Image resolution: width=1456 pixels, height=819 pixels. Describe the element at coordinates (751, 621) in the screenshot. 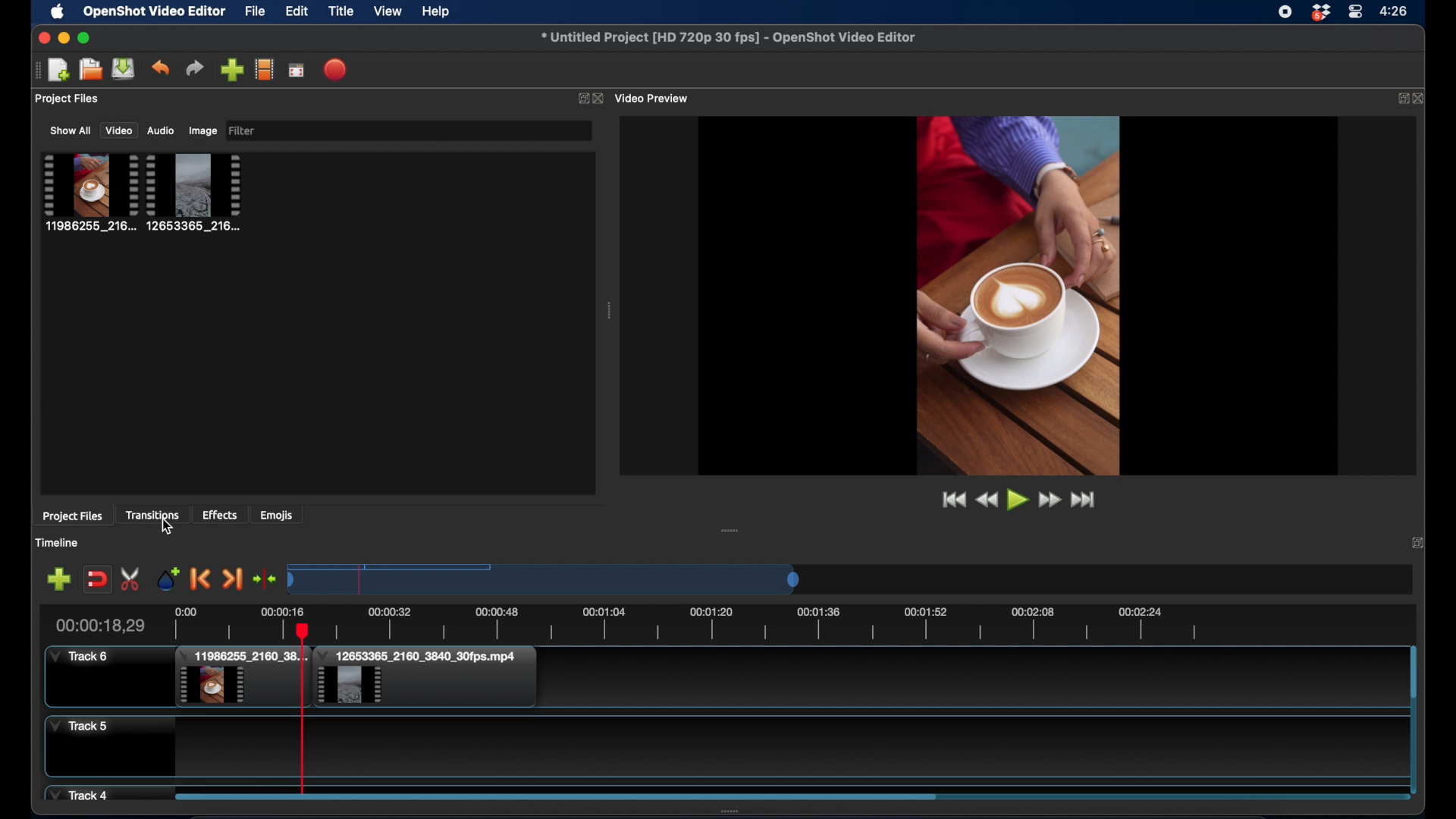

I see `timeline` at that location.